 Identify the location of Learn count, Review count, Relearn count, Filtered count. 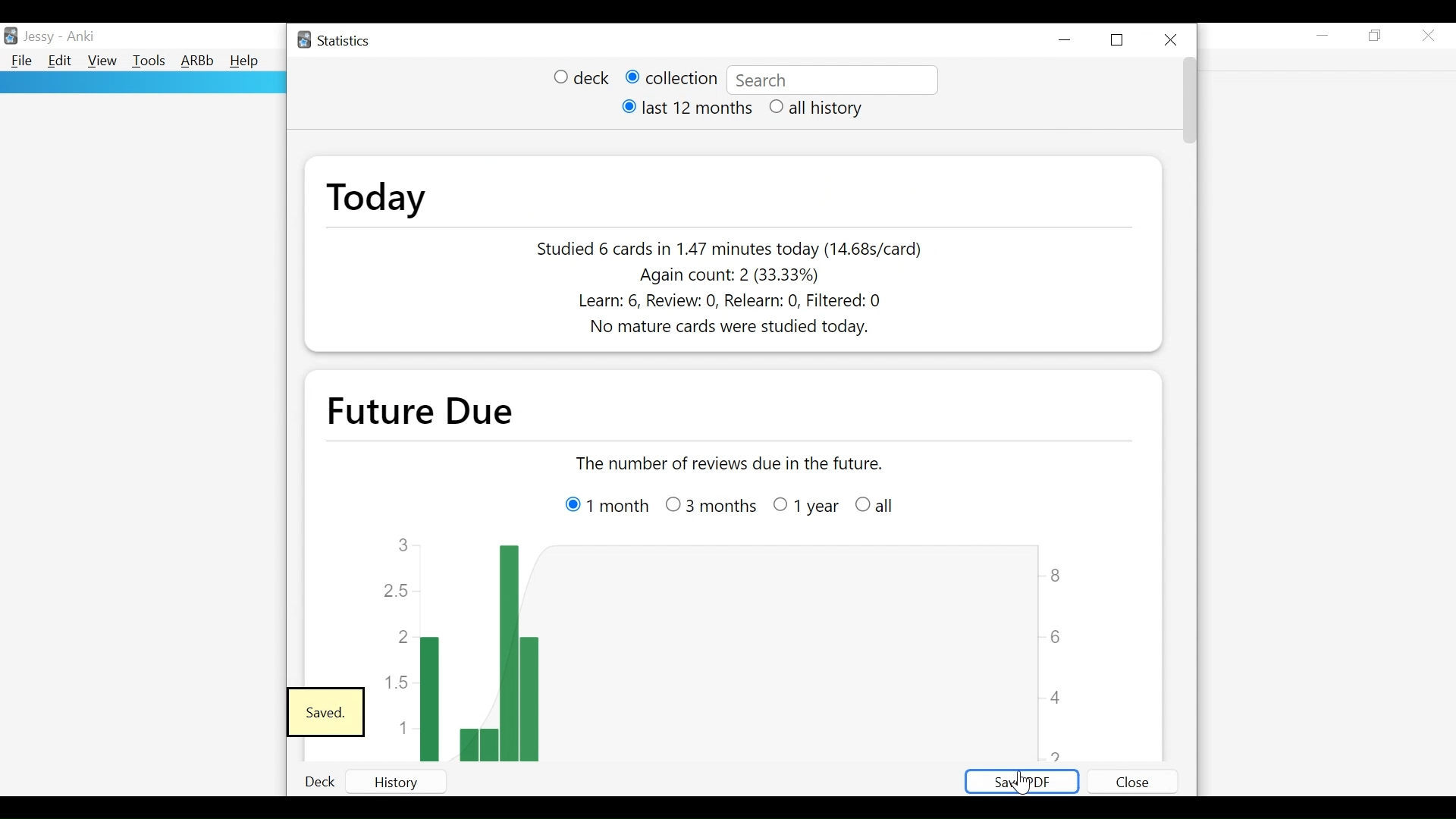
(723, 303).